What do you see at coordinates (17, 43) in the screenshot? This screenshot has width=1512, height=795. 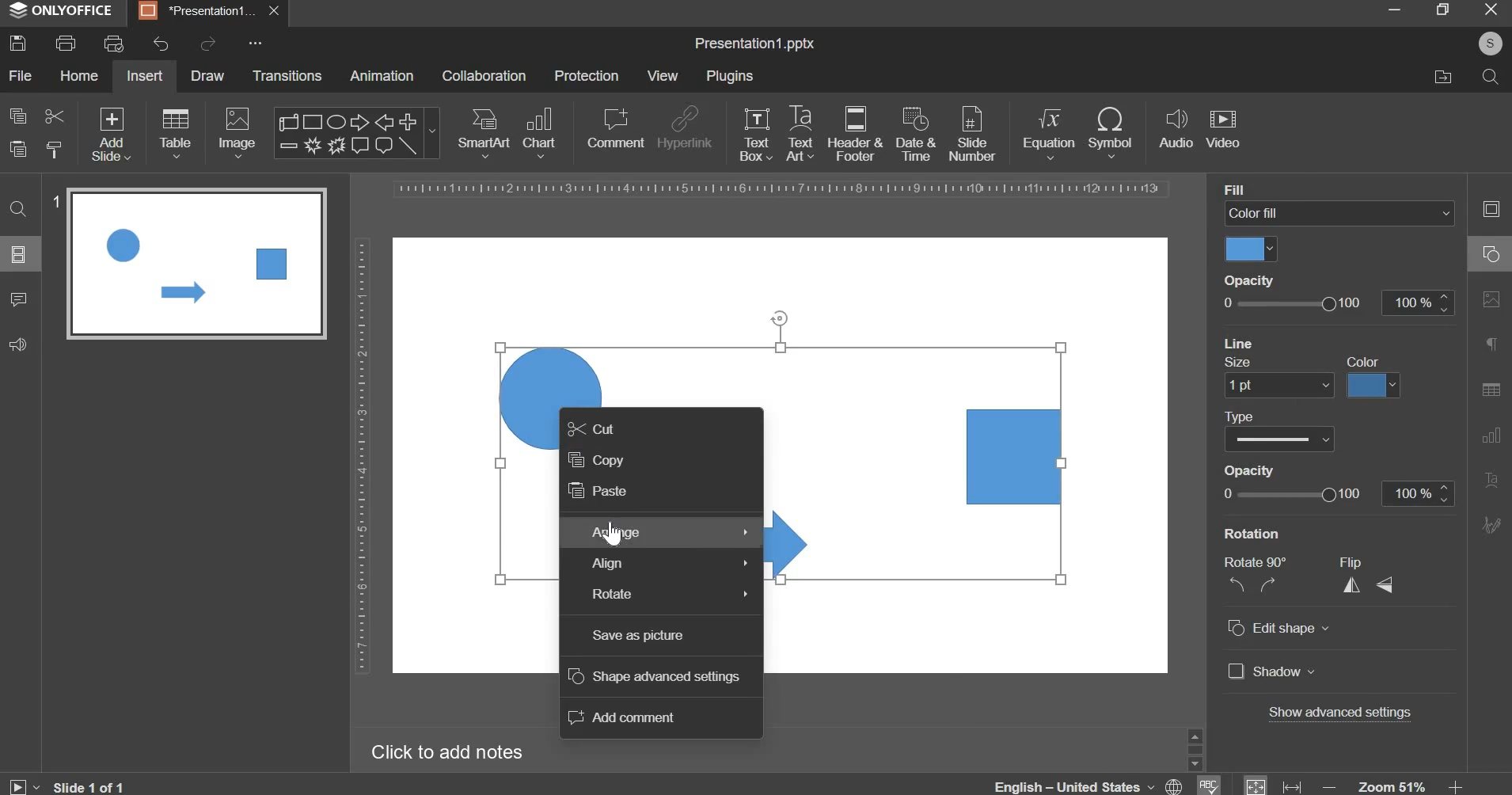 I see `save` at bounding box center [17, 43].